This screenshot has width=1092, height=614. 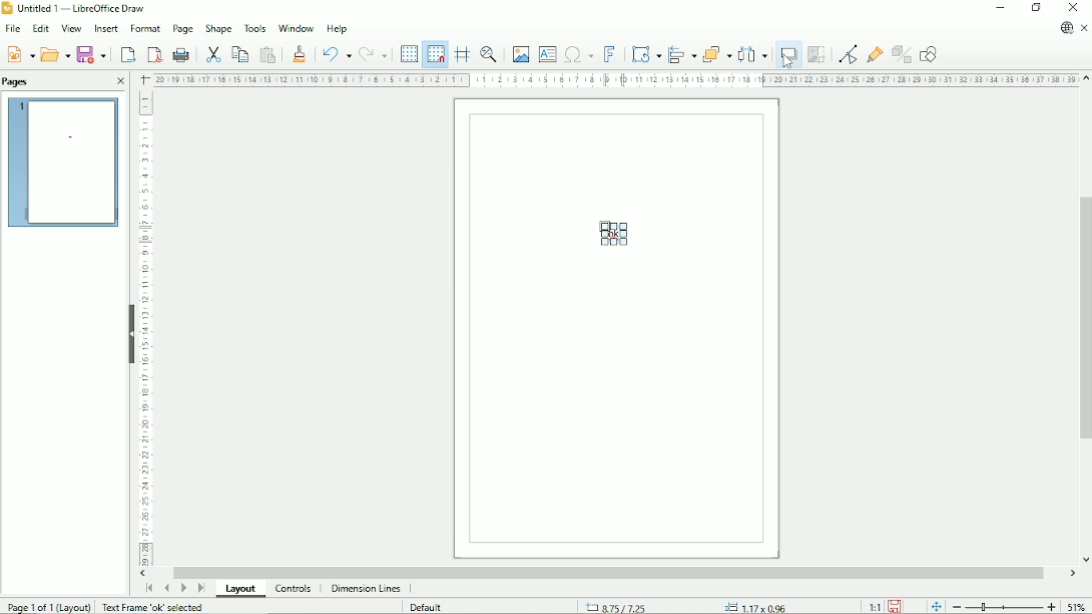 What do you see at coordinates (609, 53) in the screenshot?
I see `Insert fontwork text` at bounding box center [609, 53].